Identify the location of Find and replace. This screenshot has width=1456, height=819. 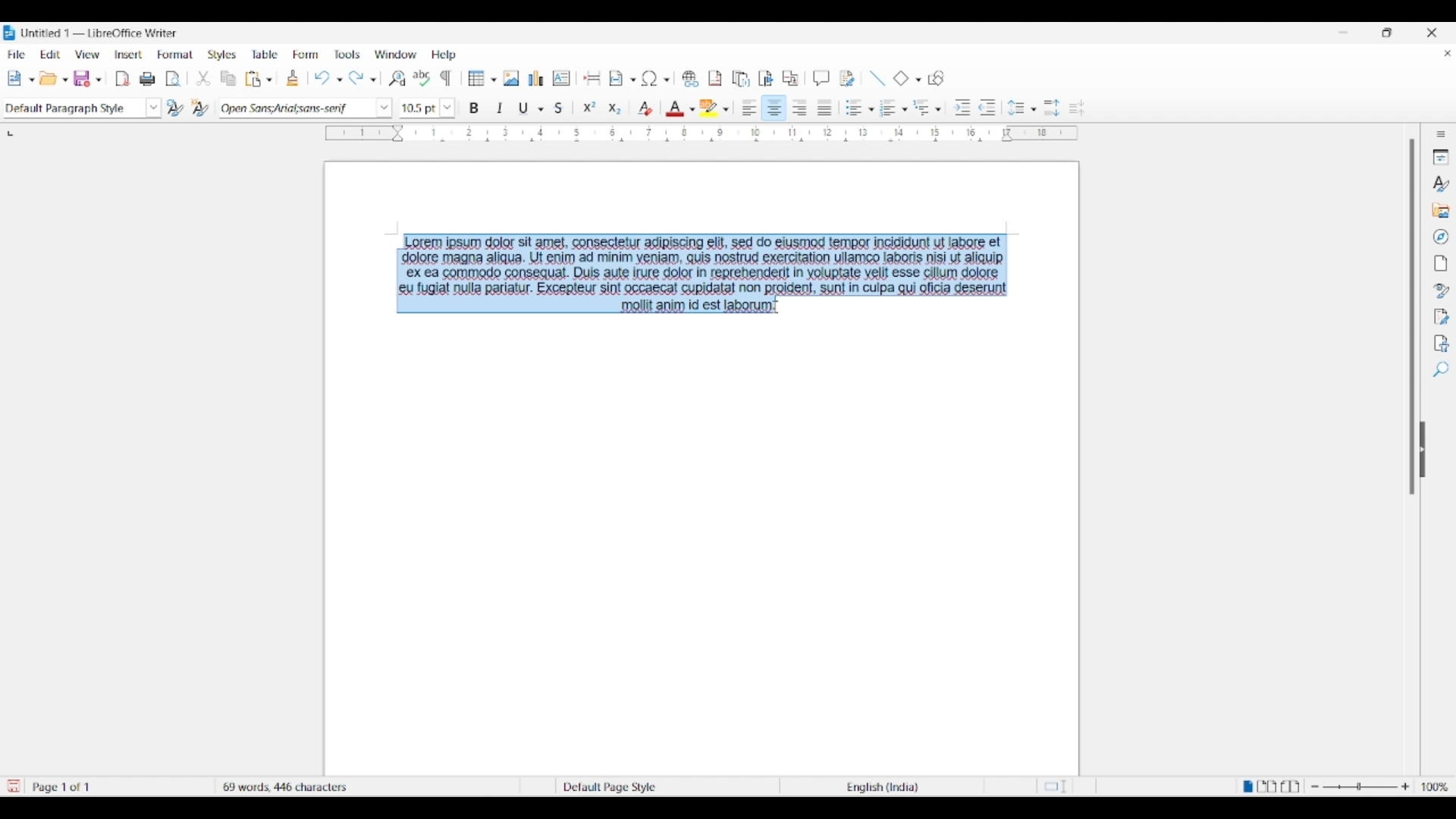
(397, 78).